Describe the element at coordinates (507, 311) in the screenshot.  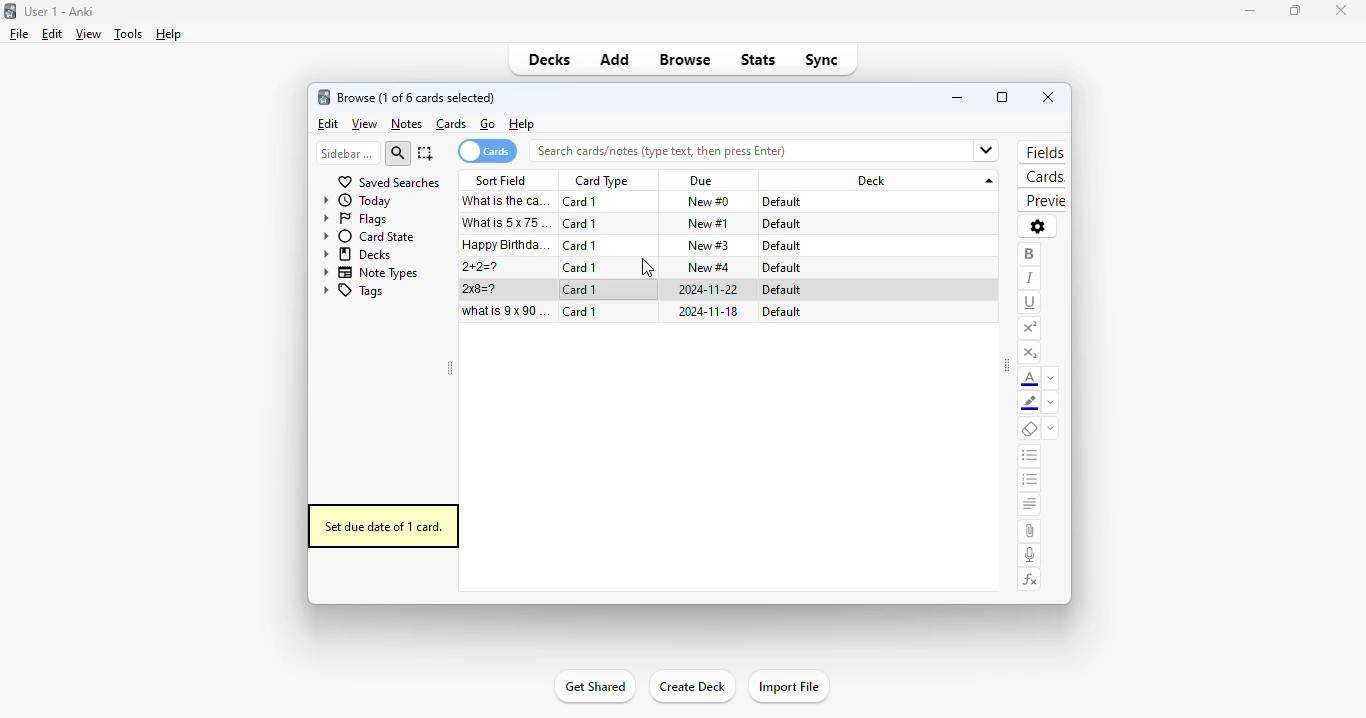
I see `what is 9x90=?` at that location.